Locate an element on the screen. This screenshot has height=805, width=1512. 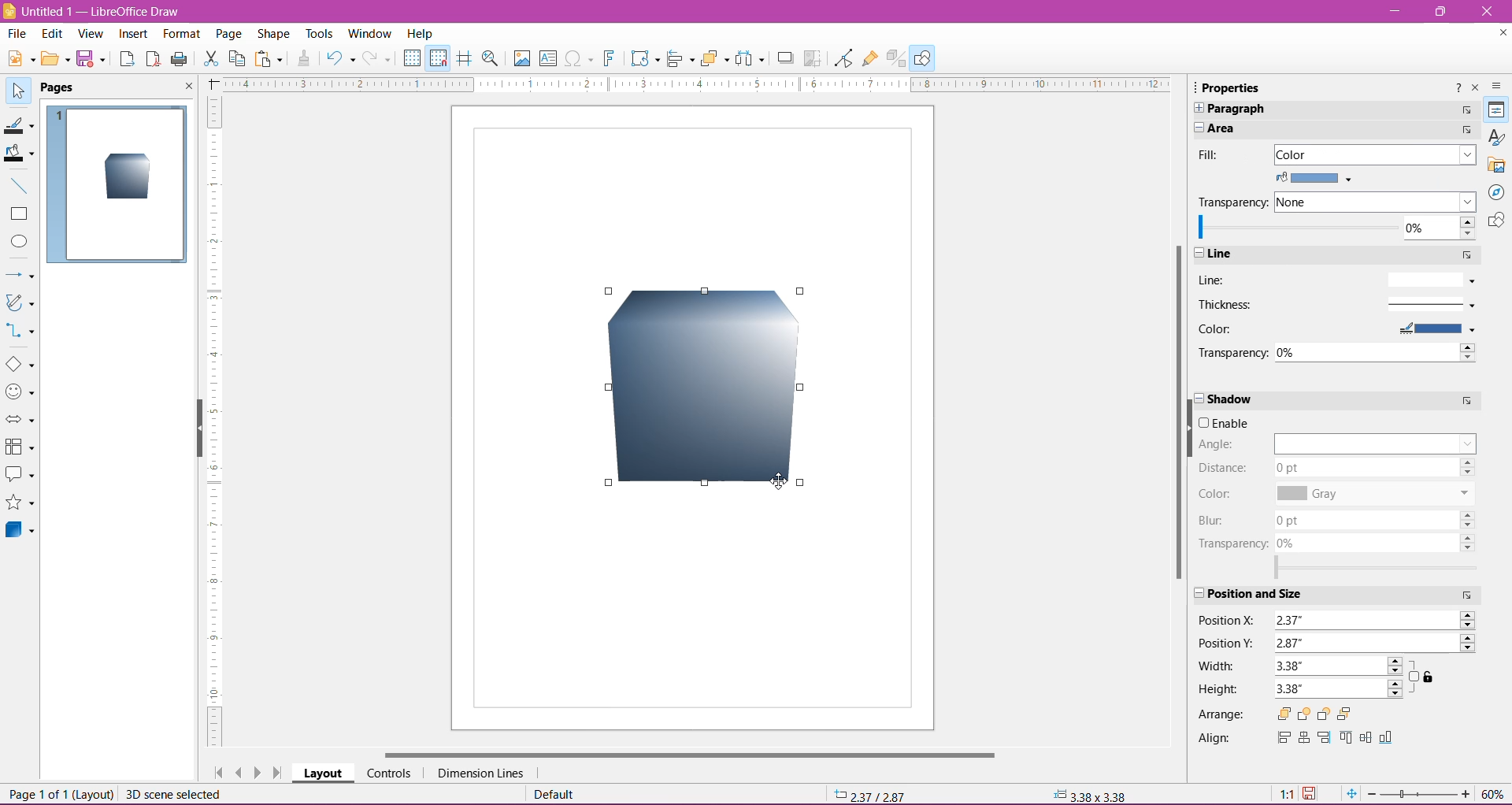
Helplines while moving is located at coordinates (465, 58).